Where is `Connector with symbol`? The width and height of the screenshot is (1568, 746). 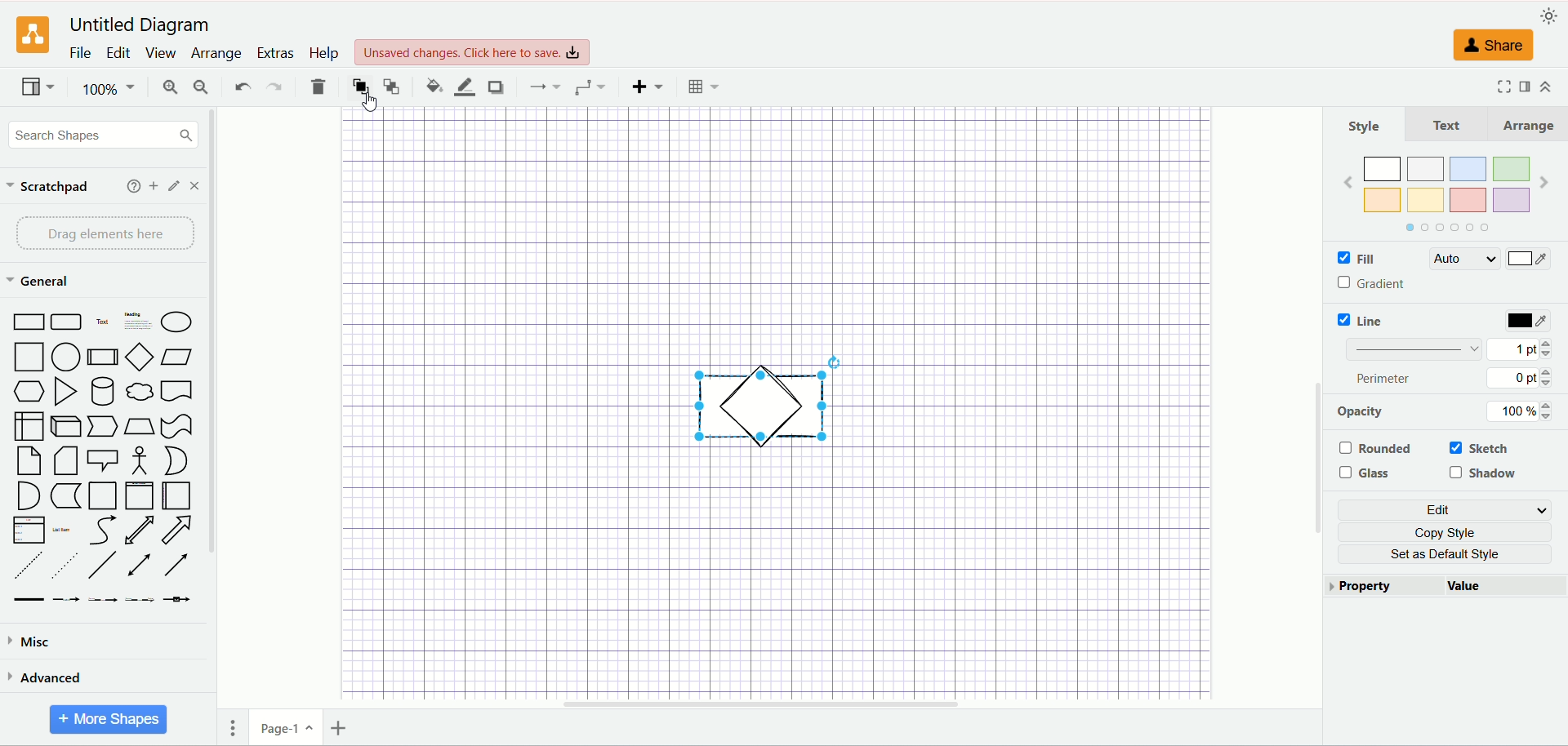
Connector with symbol is located at coordinates (176, 602).